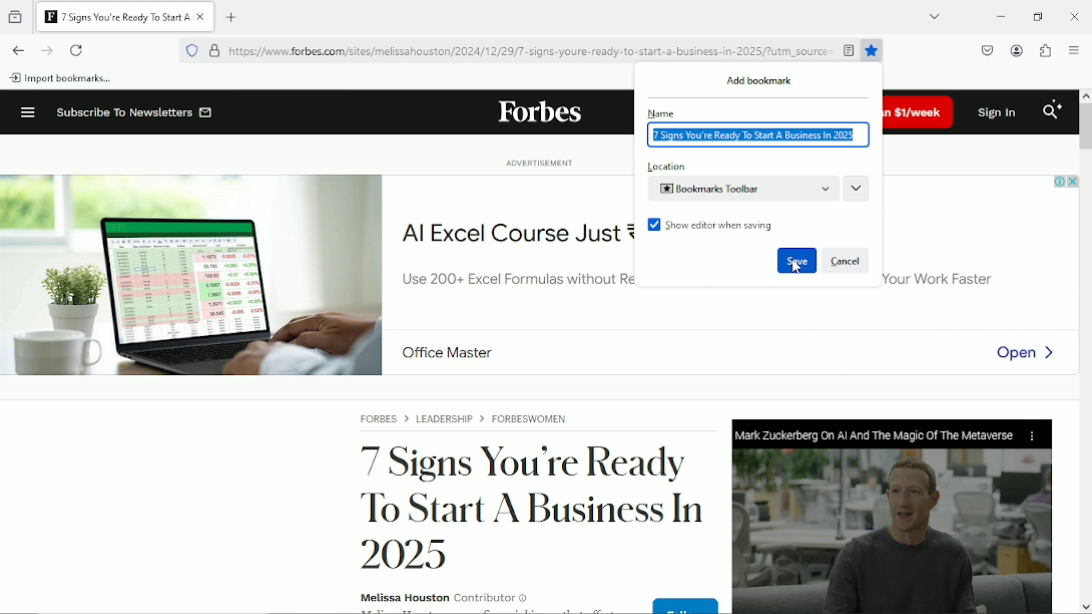  Describe the element at coordinates (1073, 49) in the screenshot. I see `open application menu` at that location.